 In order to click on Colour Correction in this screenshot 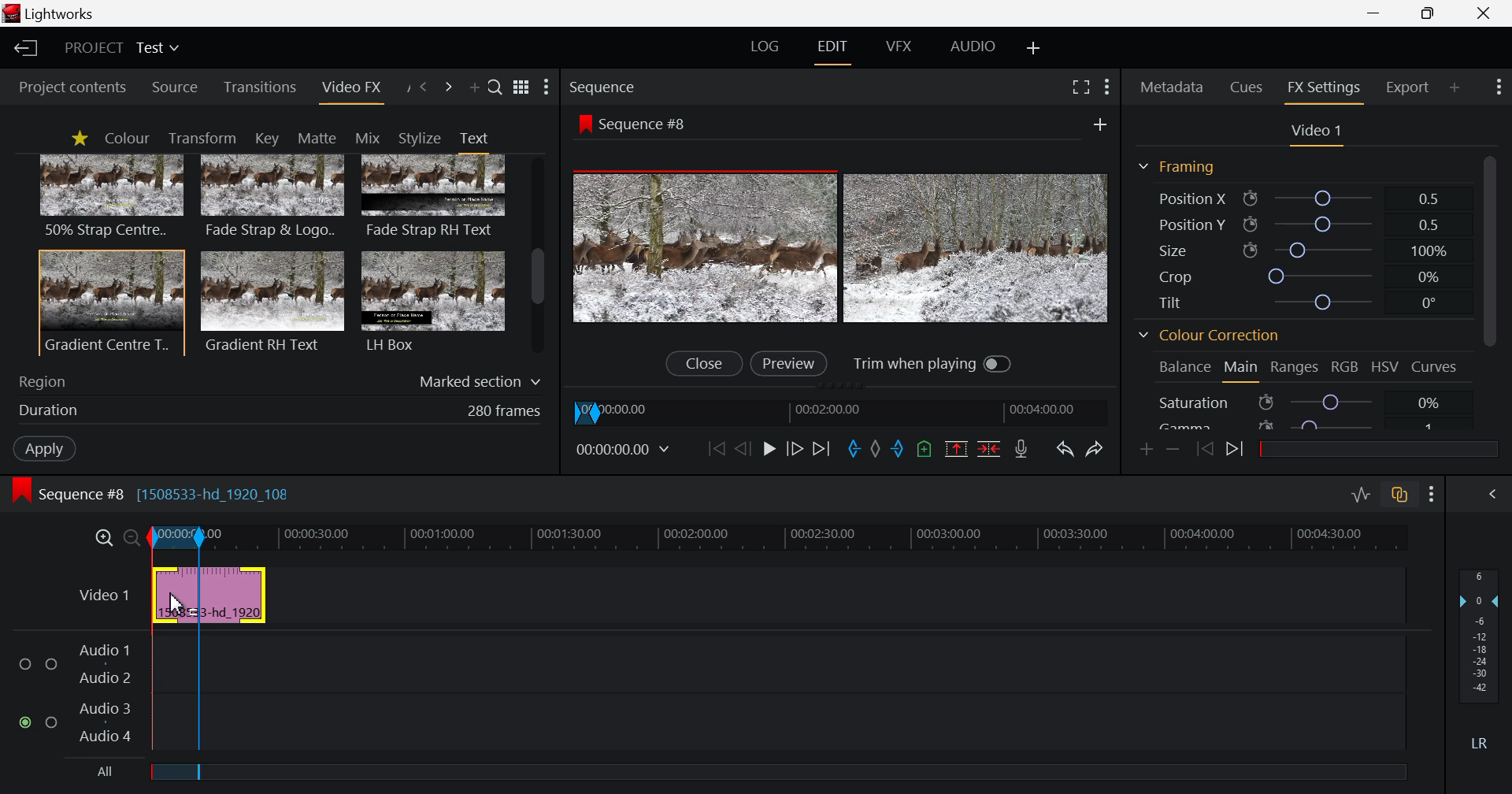, I will do `click(1214, 338)`.